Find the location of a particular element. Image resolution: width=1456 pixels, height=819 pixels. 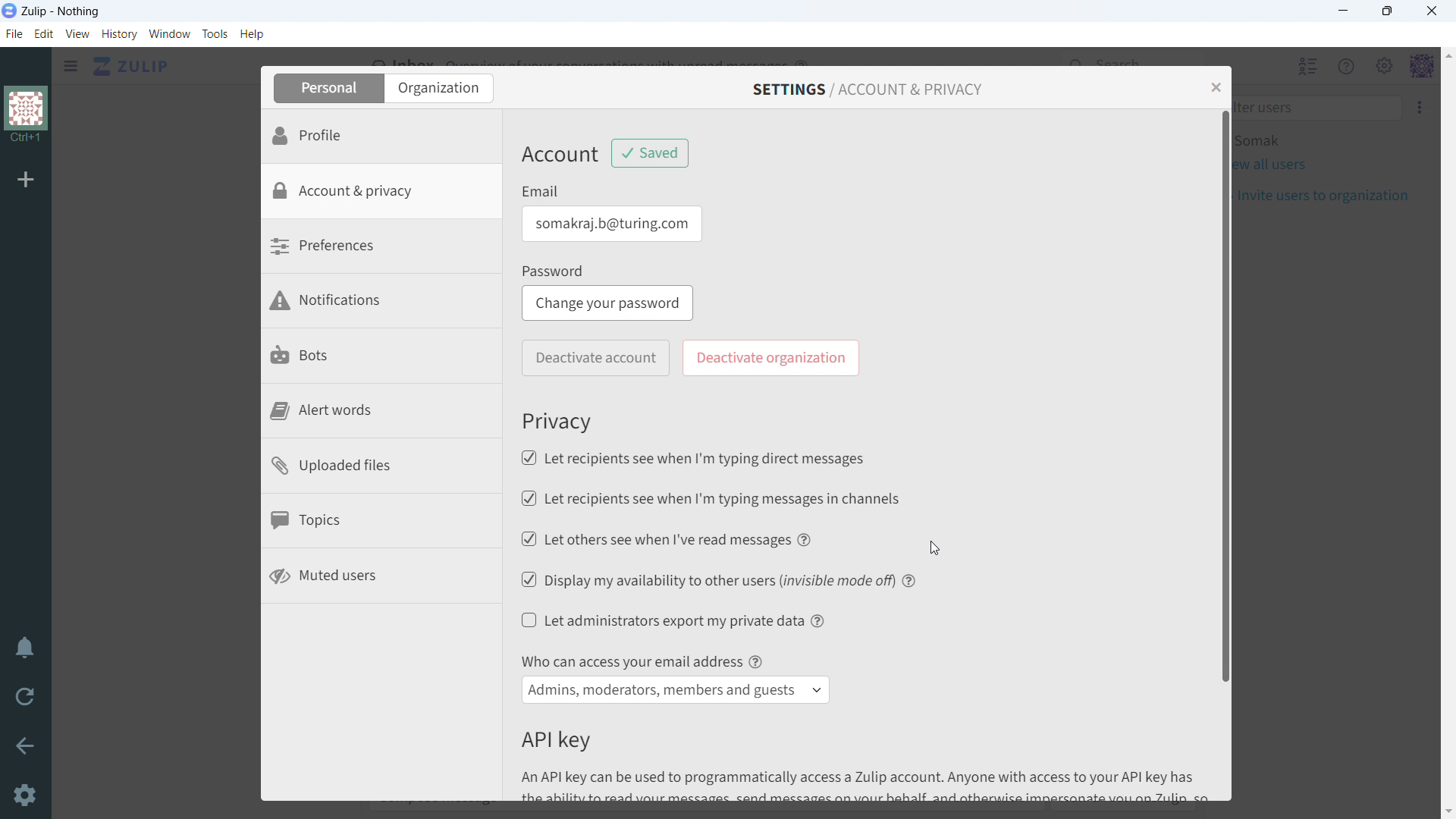

click to see sidebar menu is located at coordinates (71, 66).